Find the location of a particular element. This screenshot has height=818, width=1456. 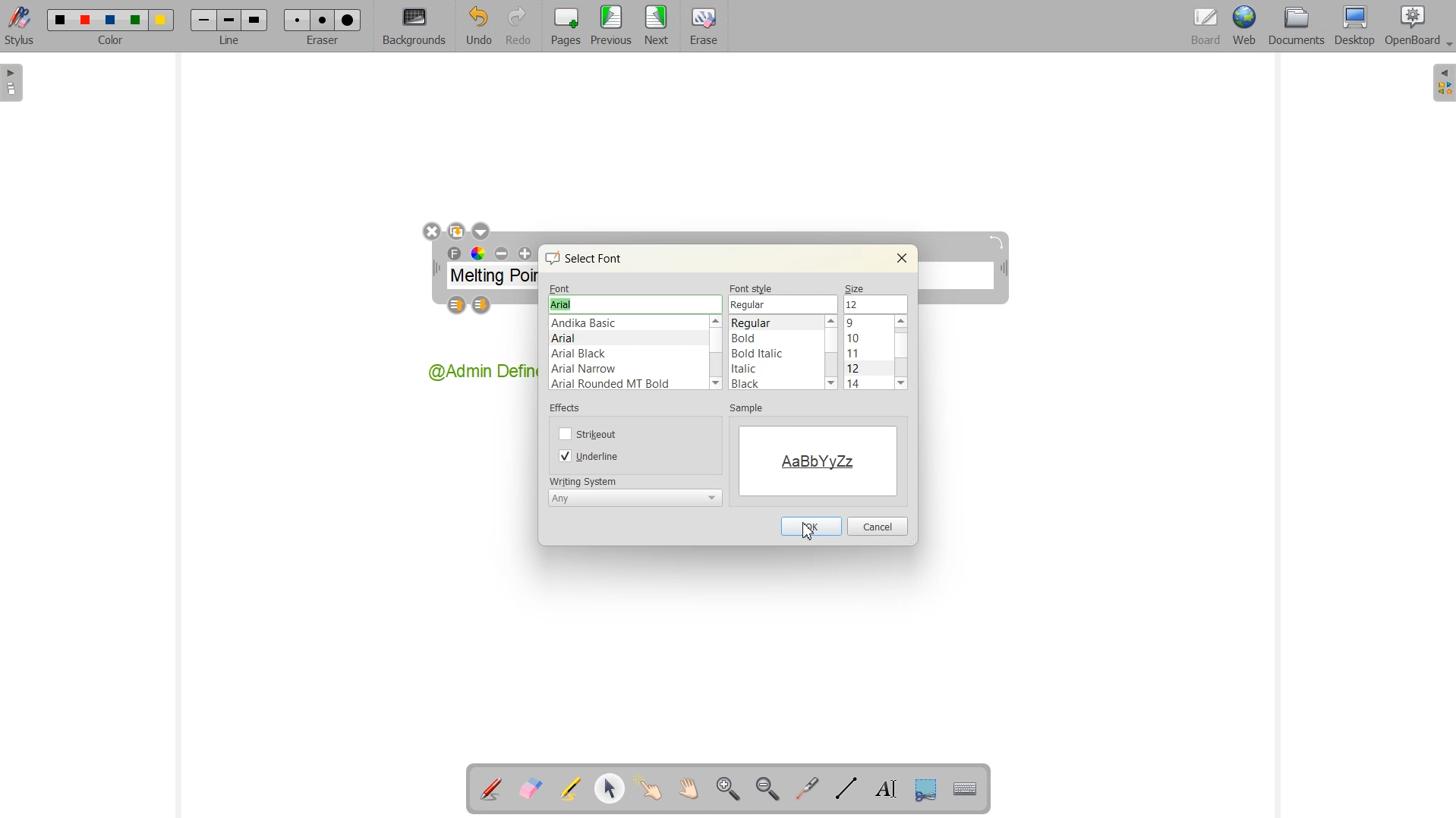

Display virtual Keyboard is located at coordinates (963, 787).